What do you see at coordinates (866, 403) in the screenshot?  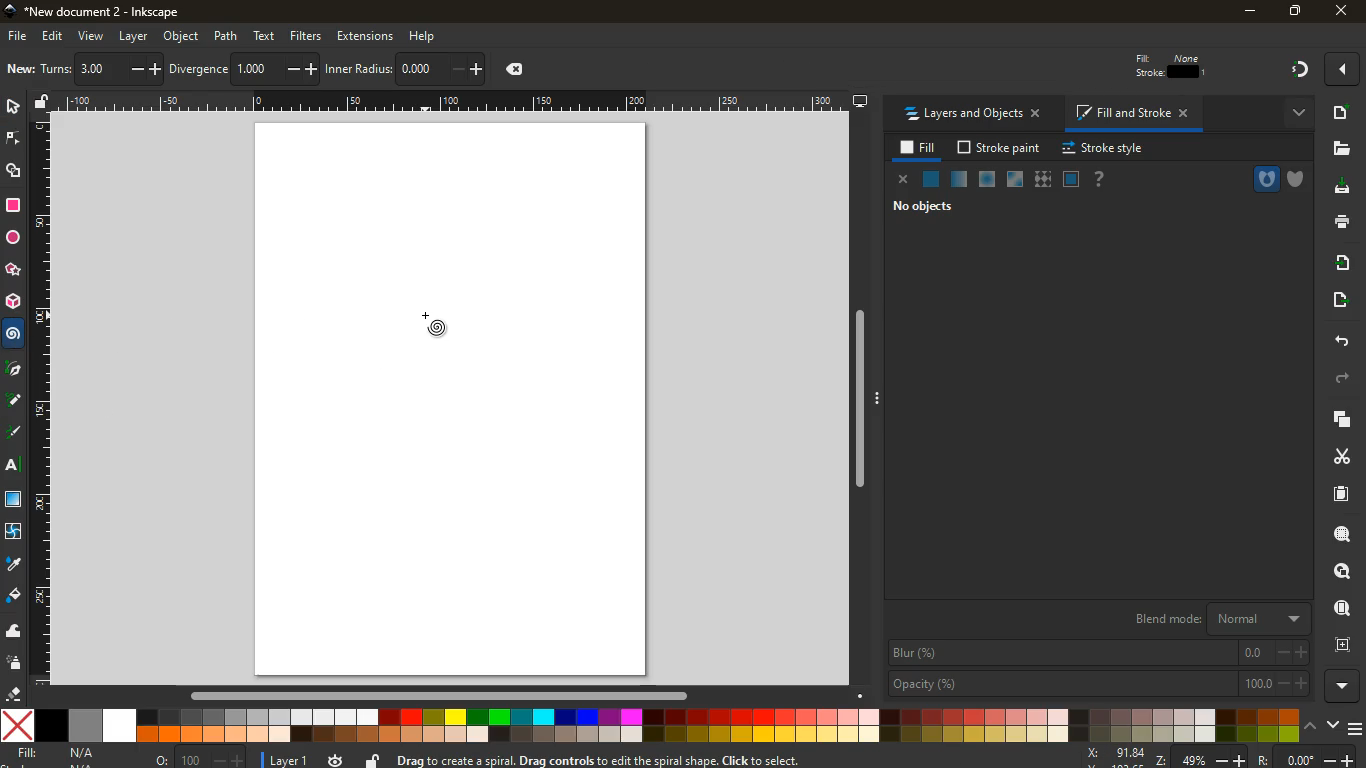 I see `` at bounding box center [866, 403].